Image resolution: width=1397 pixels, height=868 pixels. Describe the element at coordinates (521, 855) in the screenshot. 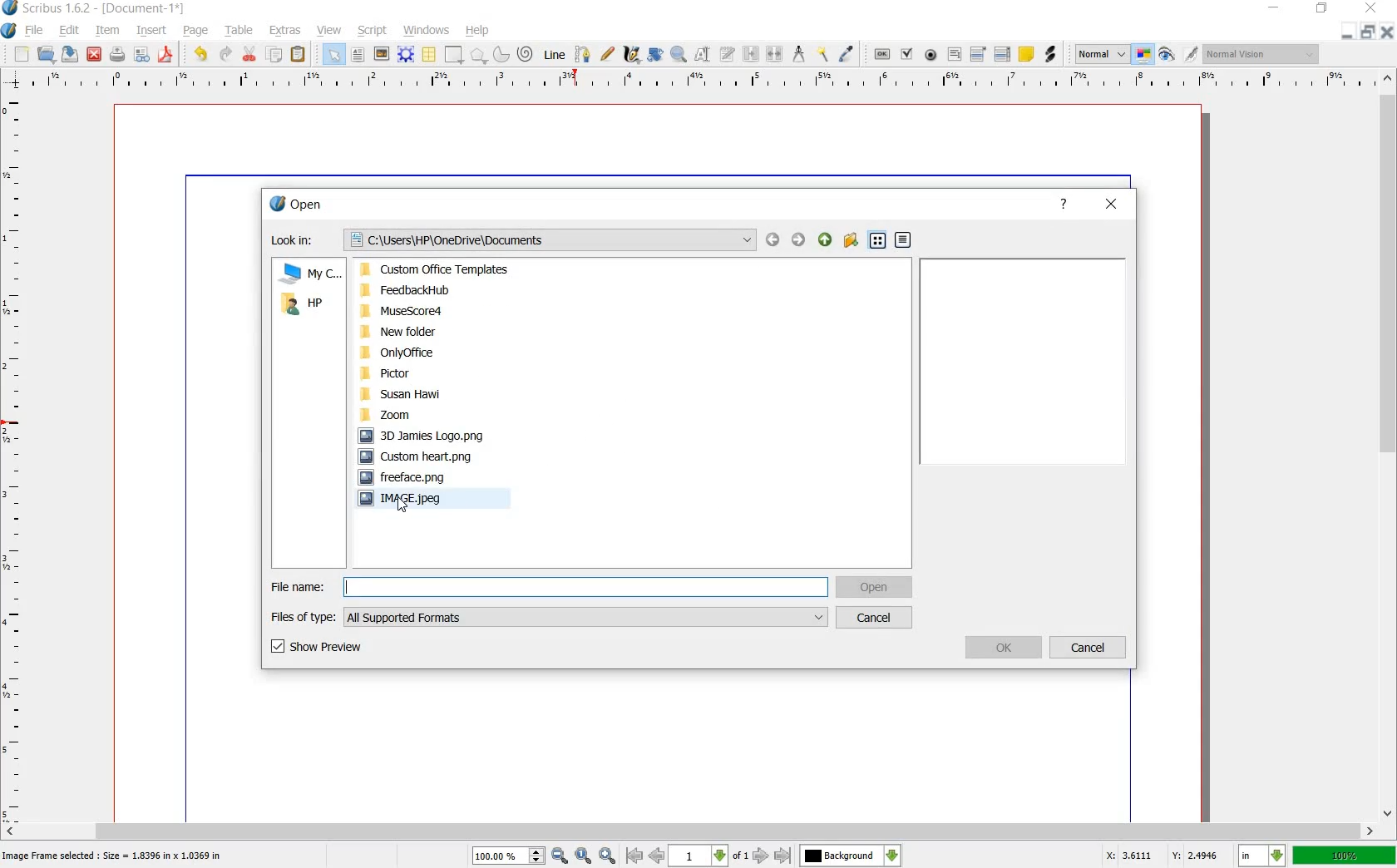

I see `zoom in` at that location.